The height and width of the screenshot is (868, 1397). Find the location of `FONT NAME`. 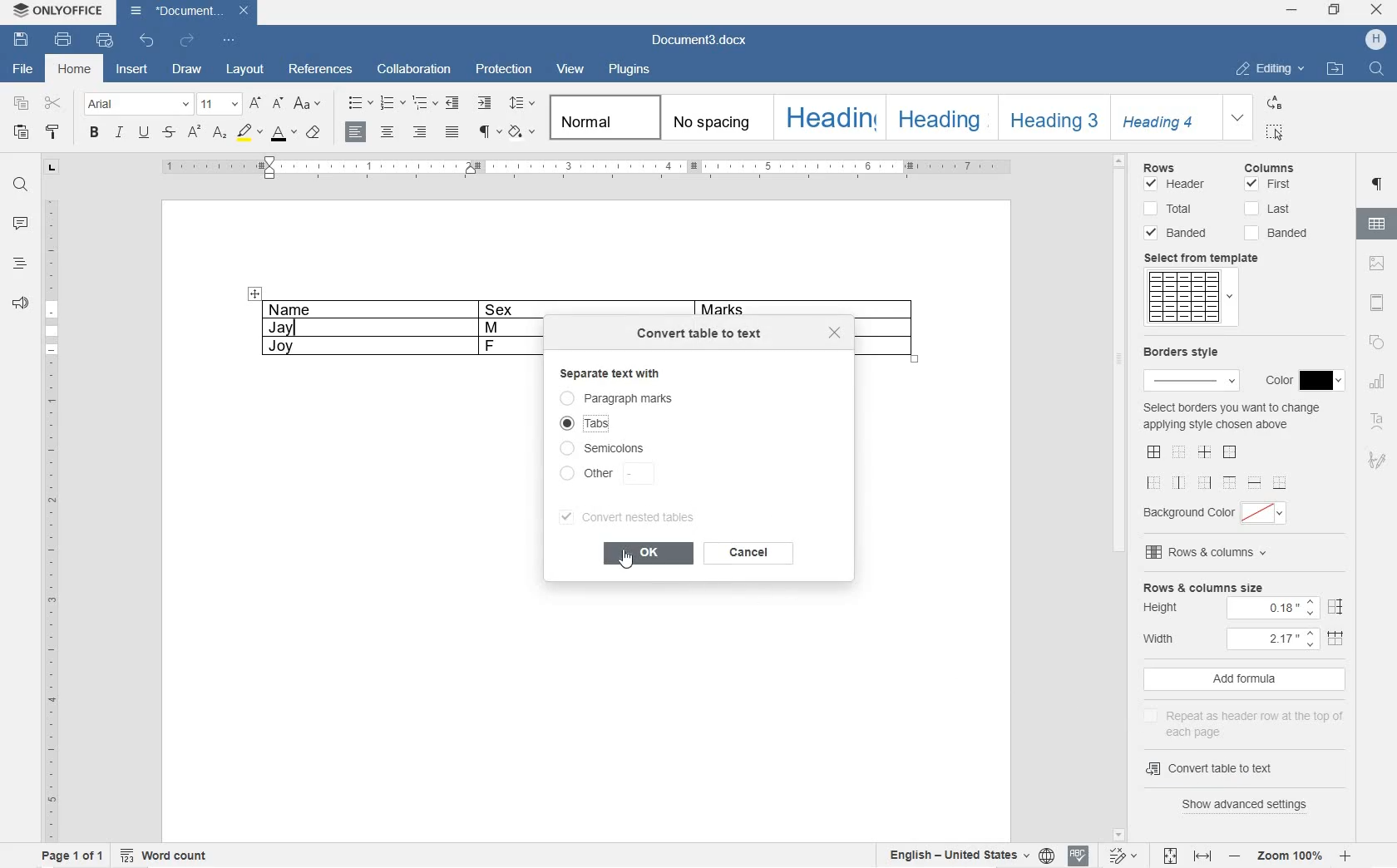

FONT NAME is located at coordinates (137, 105).